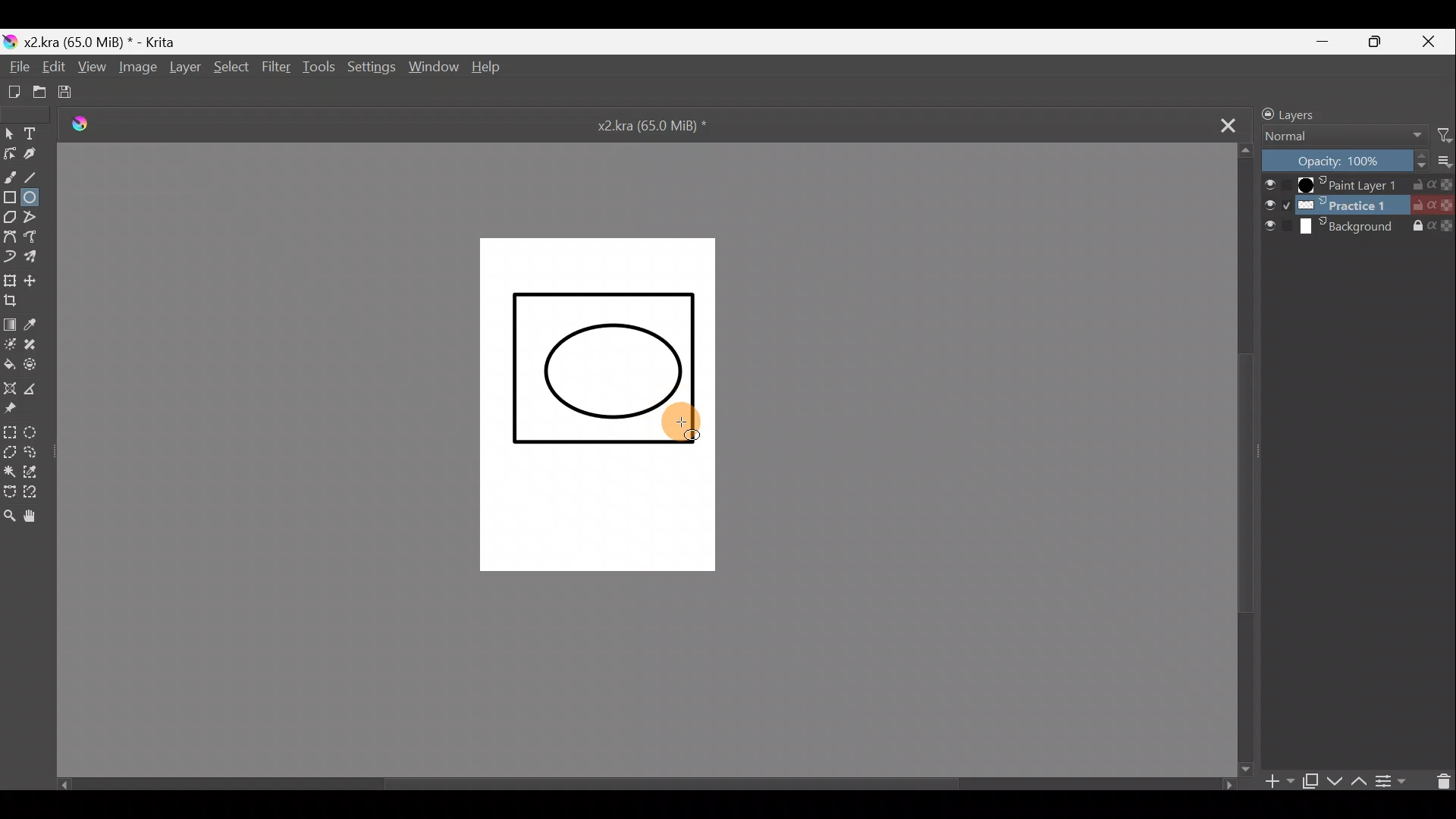  Describe the element at coordinates (608, 372) in the screenshot. I see `Circle drawn with the ellipse tool` at that location.